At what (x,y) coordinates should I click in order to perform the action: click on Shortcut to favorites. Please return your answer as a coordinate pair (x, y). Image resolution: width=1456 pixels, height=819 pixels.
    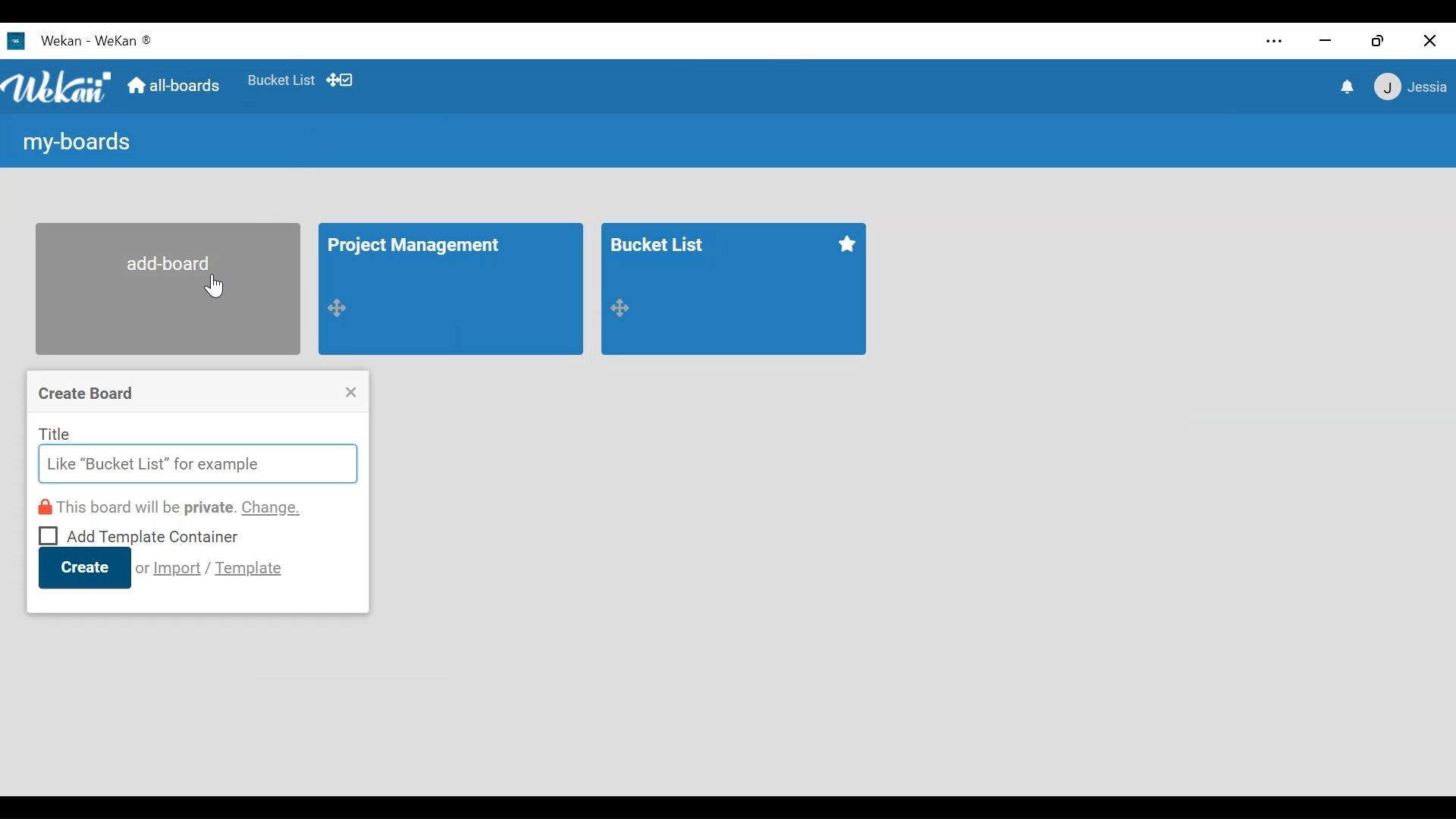
    Looking at the image, I should click on (281, 79).